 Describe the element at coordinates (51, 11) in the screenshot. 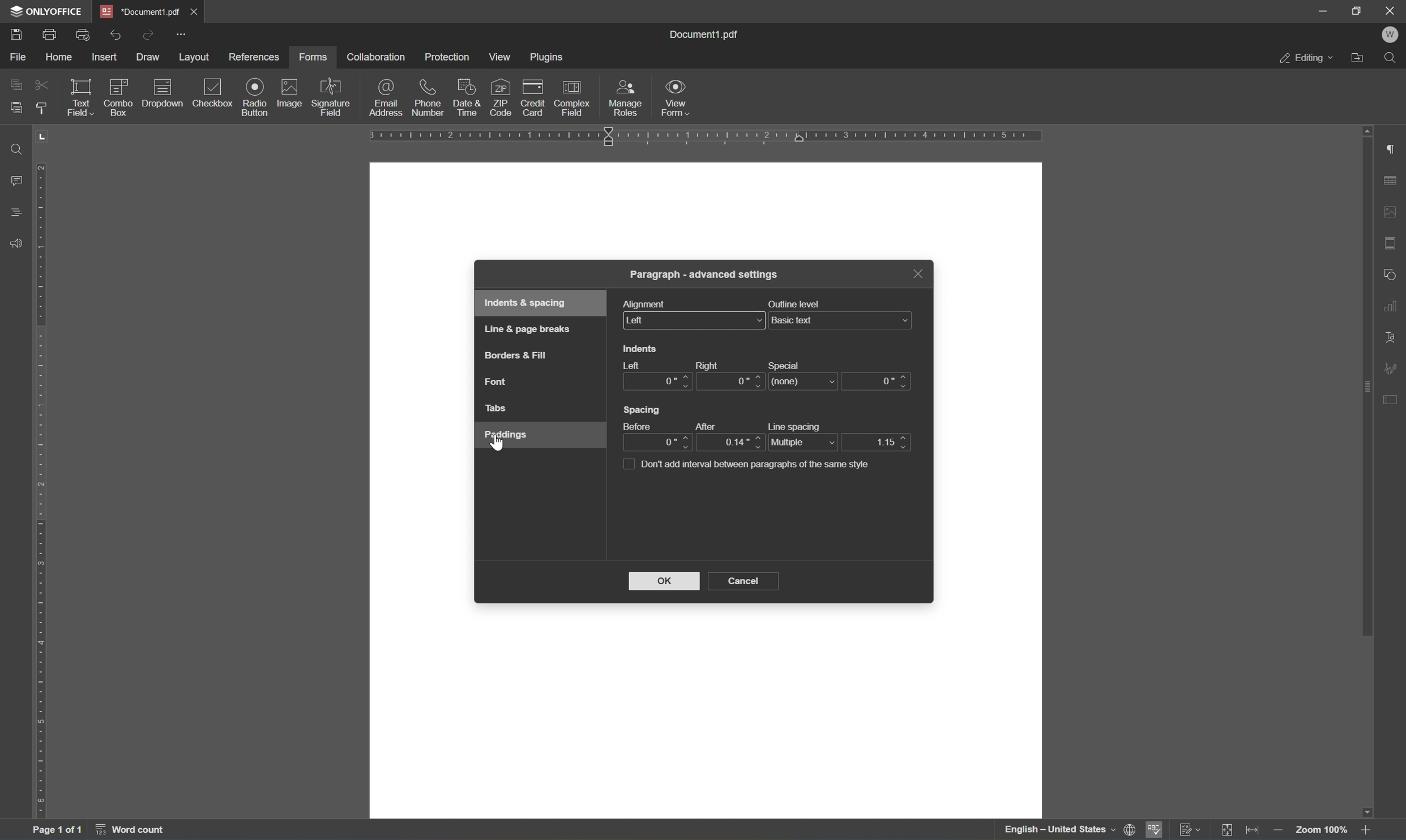

I see `ONLYOFFICE` at that location.